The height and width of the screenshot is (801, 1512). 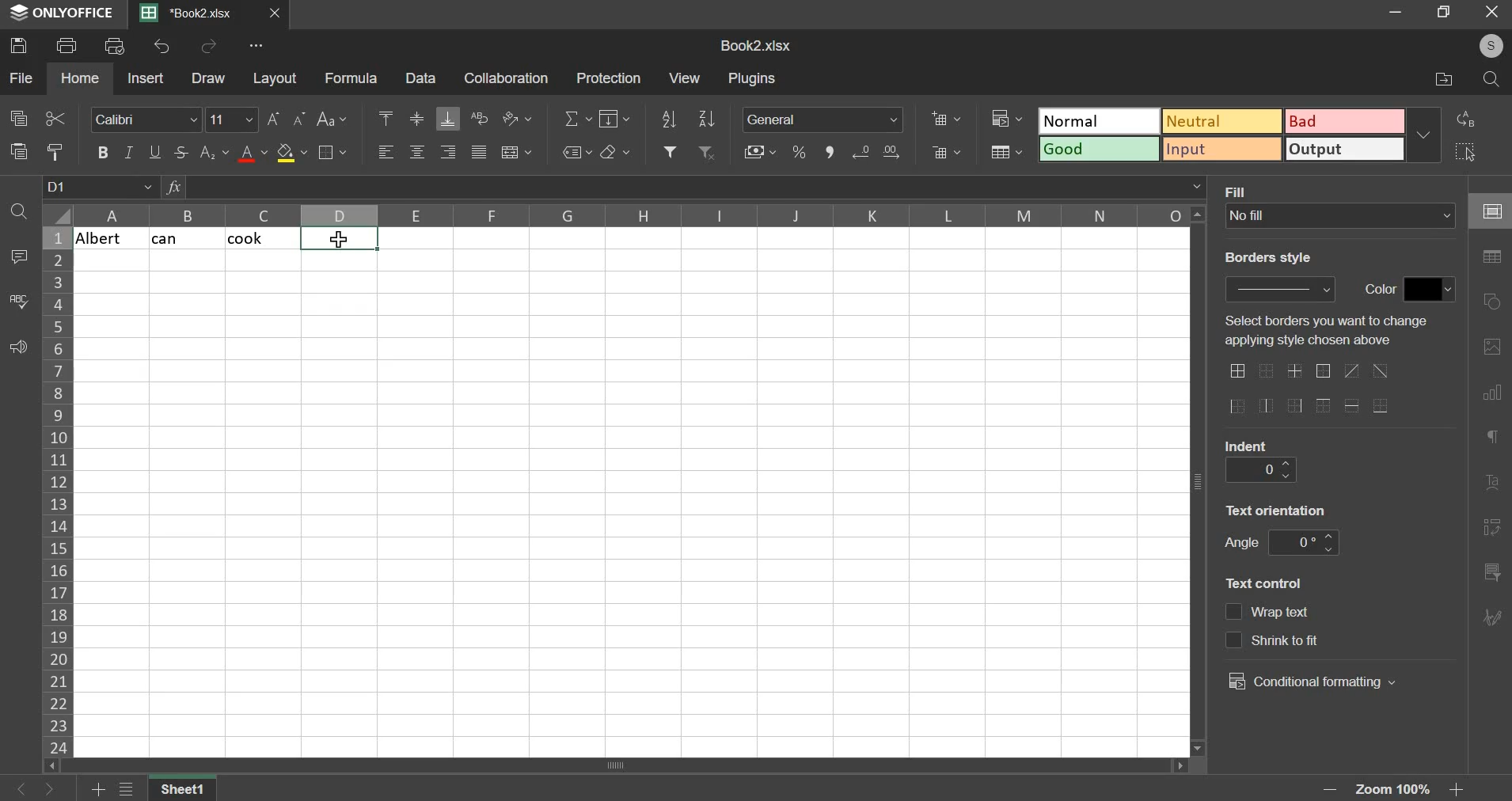 What do you see at coordinates (754, 79) in the screenshot?
I see `plugins` at bounding box center [754, 79].